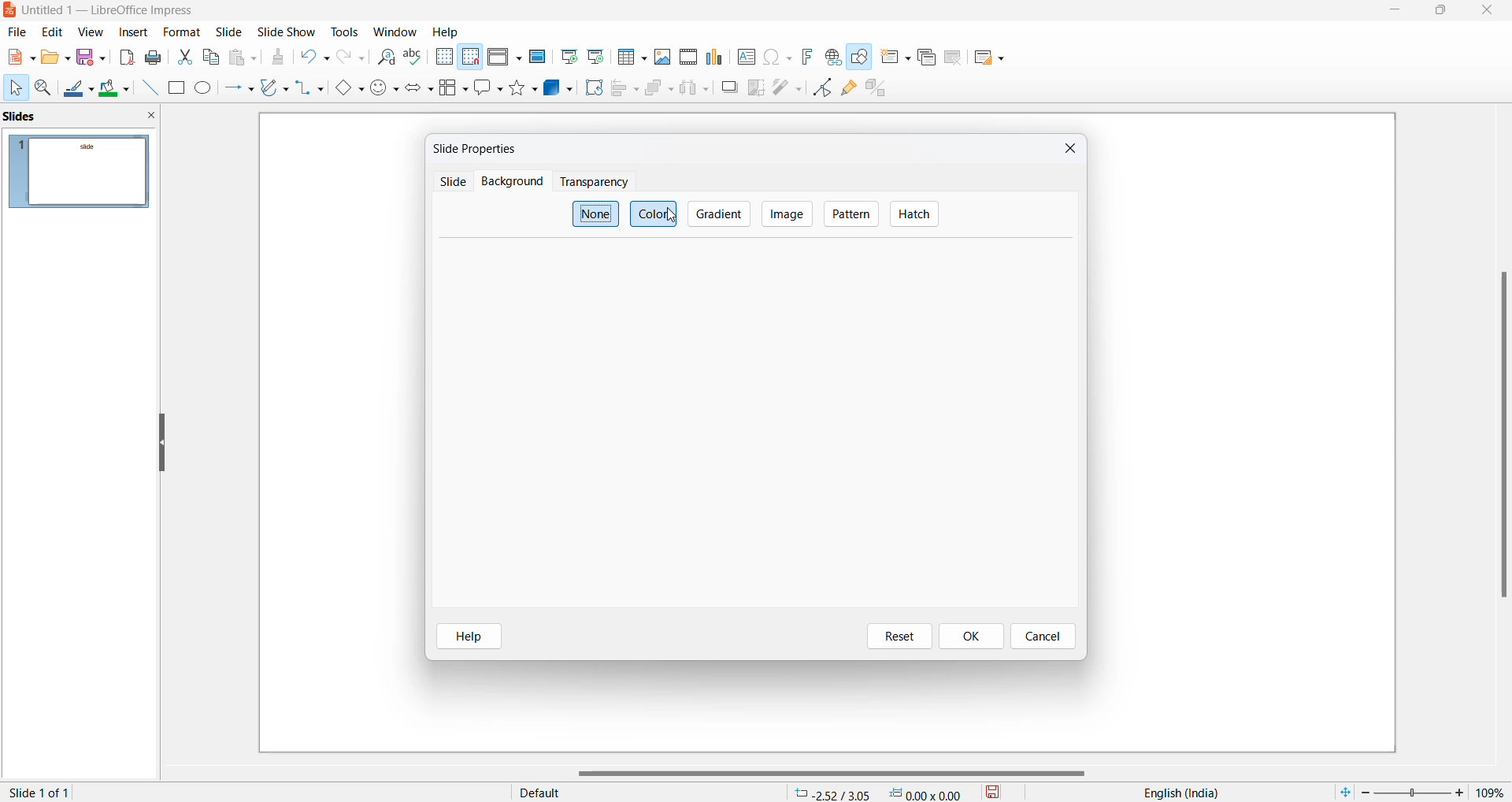 This screenshot has width=1512, height=802. Describe the element at coordinates (1067, 150) in the screenshot. I see `close` at that location.